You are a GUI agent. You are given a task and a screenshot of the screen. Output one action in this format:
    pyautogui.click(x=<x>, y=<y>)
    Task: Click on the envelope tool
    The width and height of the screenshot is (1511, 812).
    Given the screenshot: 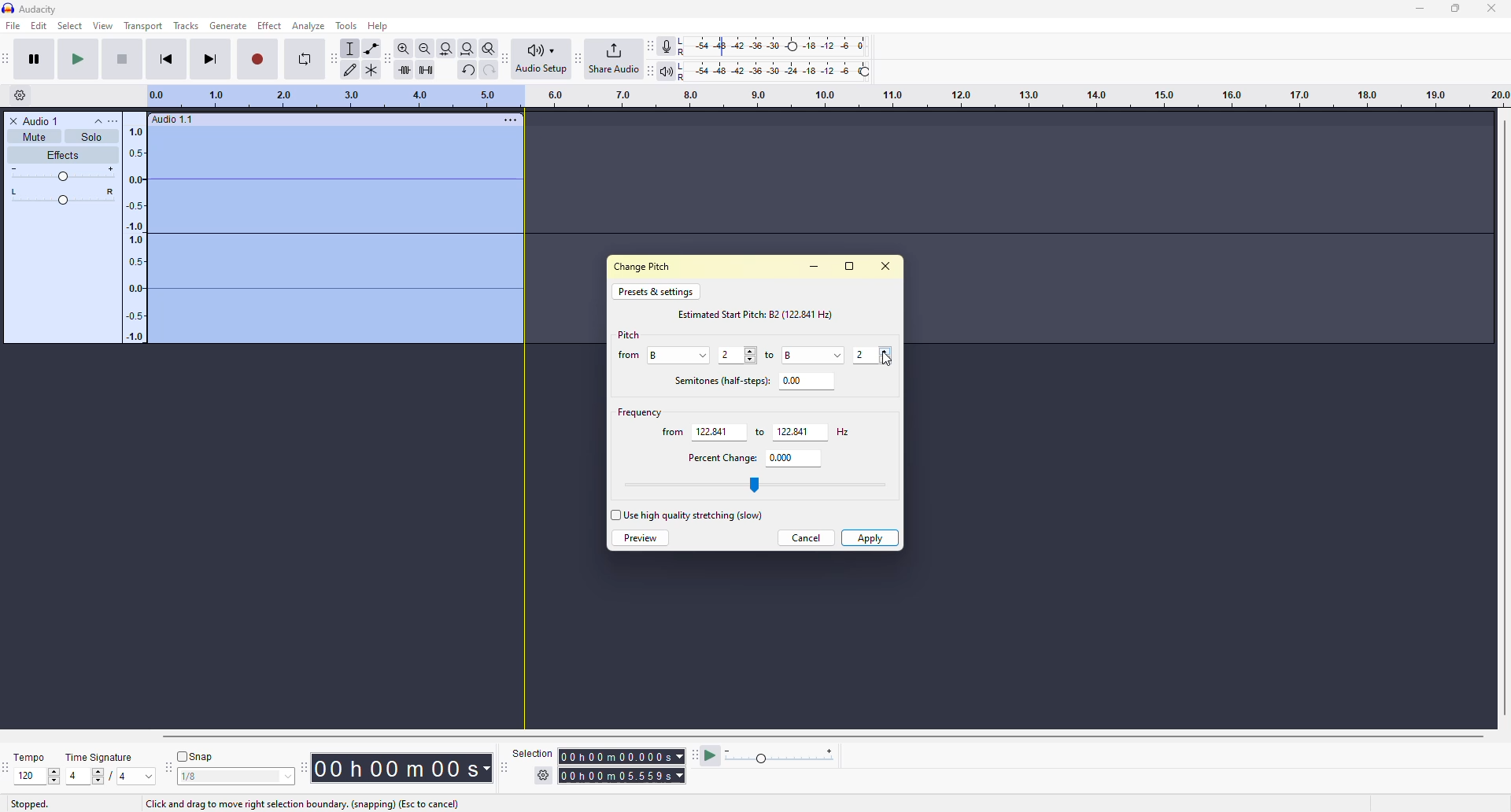 What is the action you would take?
    pyautogui.click(x=371, y=49)
    